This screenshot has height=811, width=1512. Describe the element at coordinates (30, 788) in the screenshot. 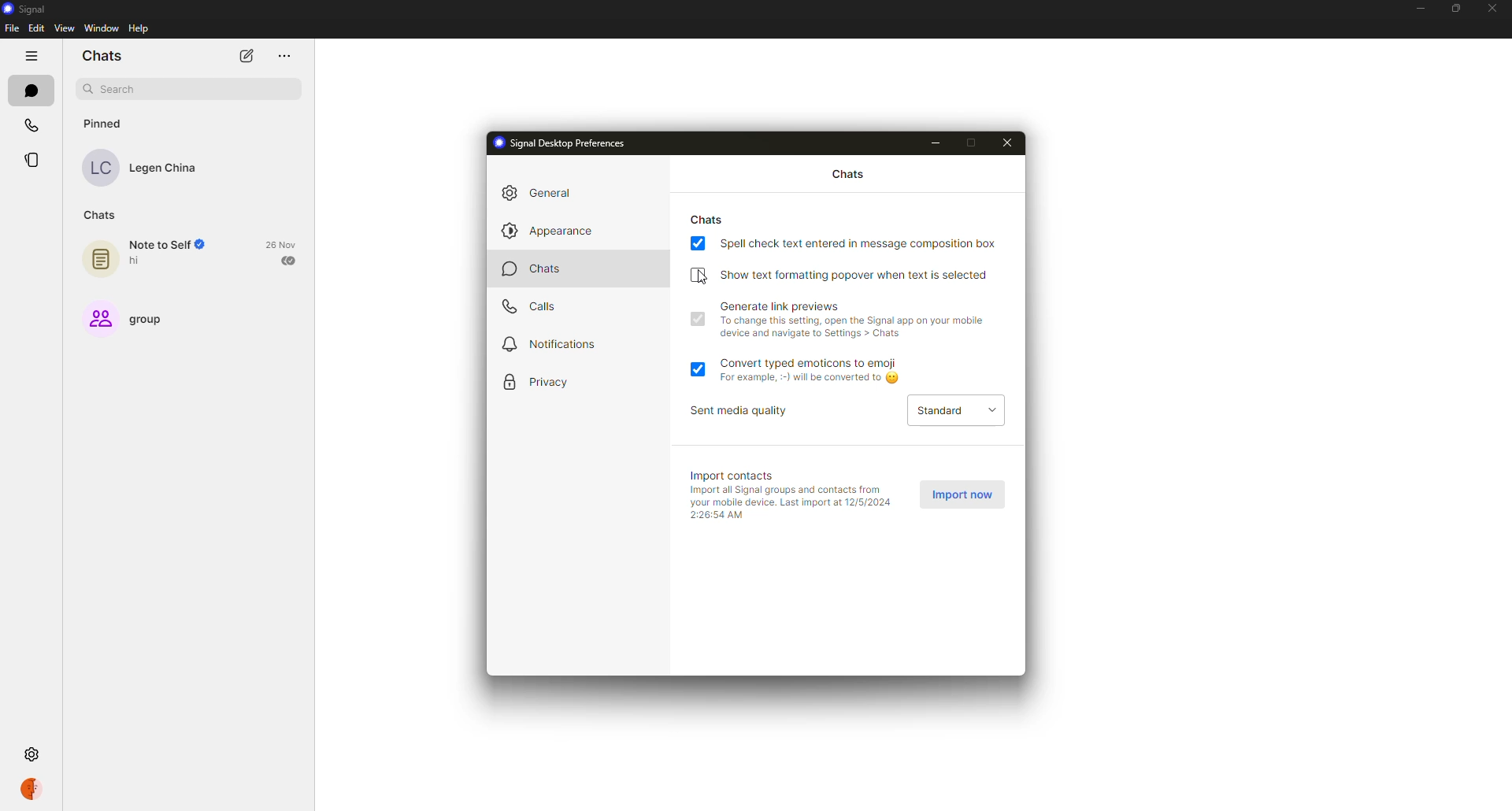

I see `profile` at that location.